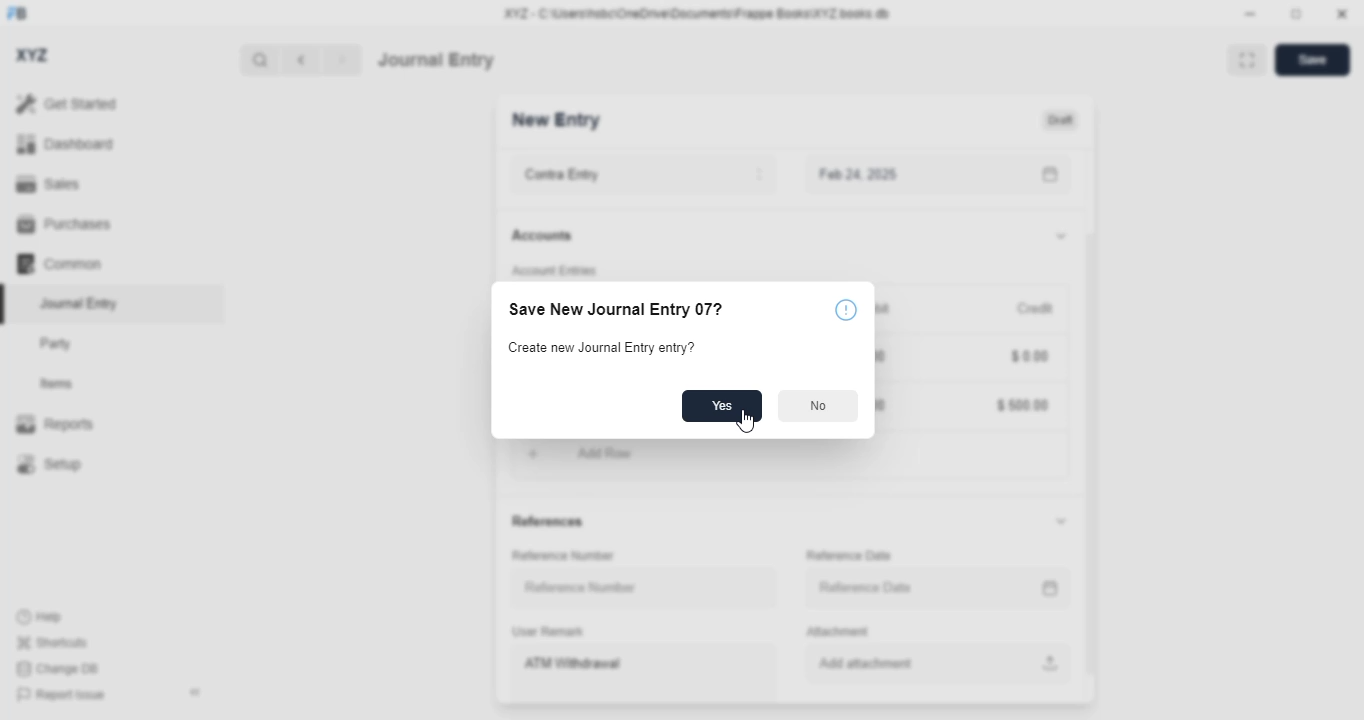 The image size is (1364, 720). Describe the element at coordinates (850, 555) in the screenshot. I see `reference date` at that location.